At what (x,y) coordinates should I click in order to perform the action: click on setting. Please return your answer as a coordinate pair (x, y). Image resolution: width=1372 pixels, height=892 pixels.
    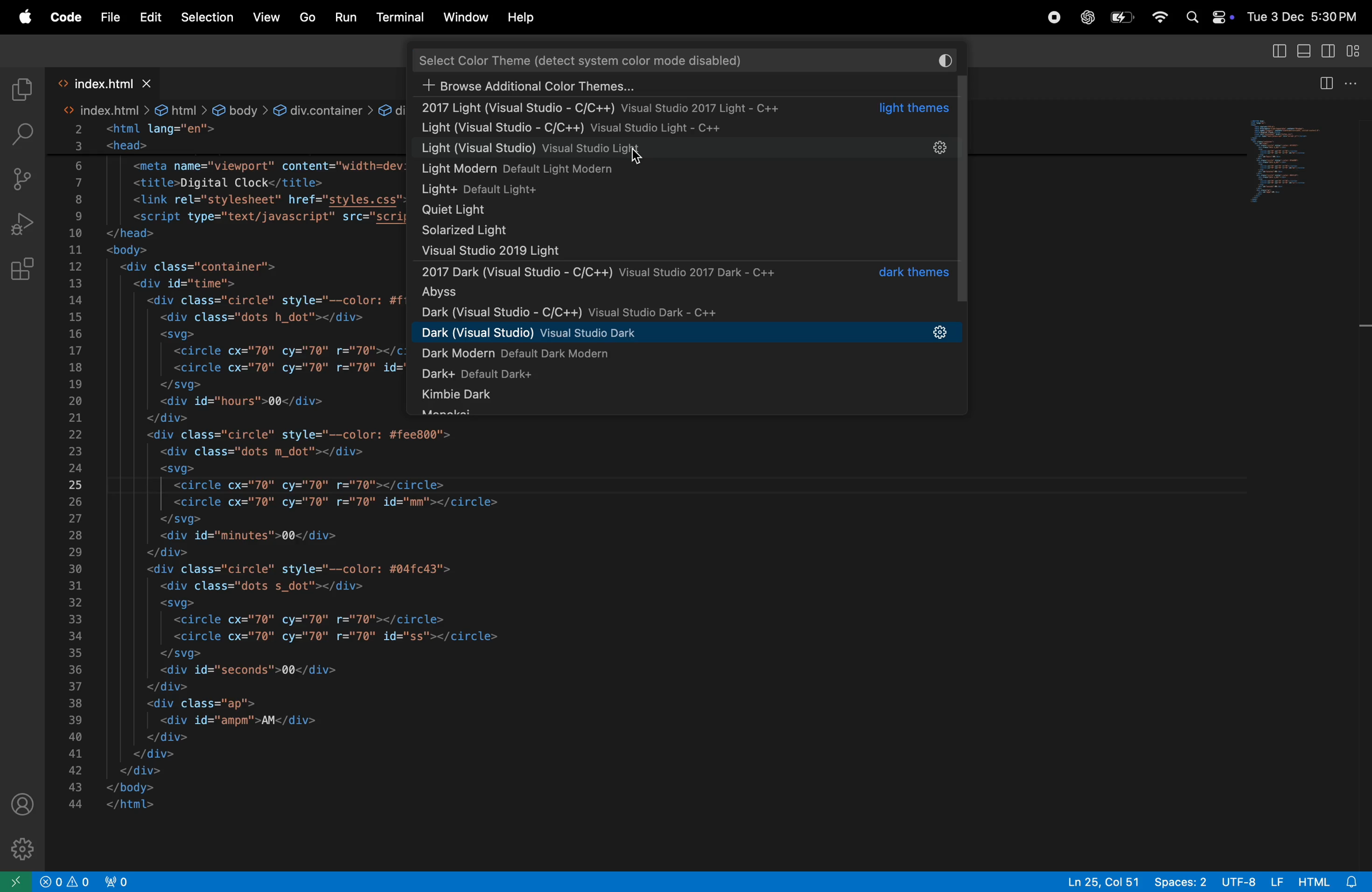
    Looking at the image, I should click on (940, 332).